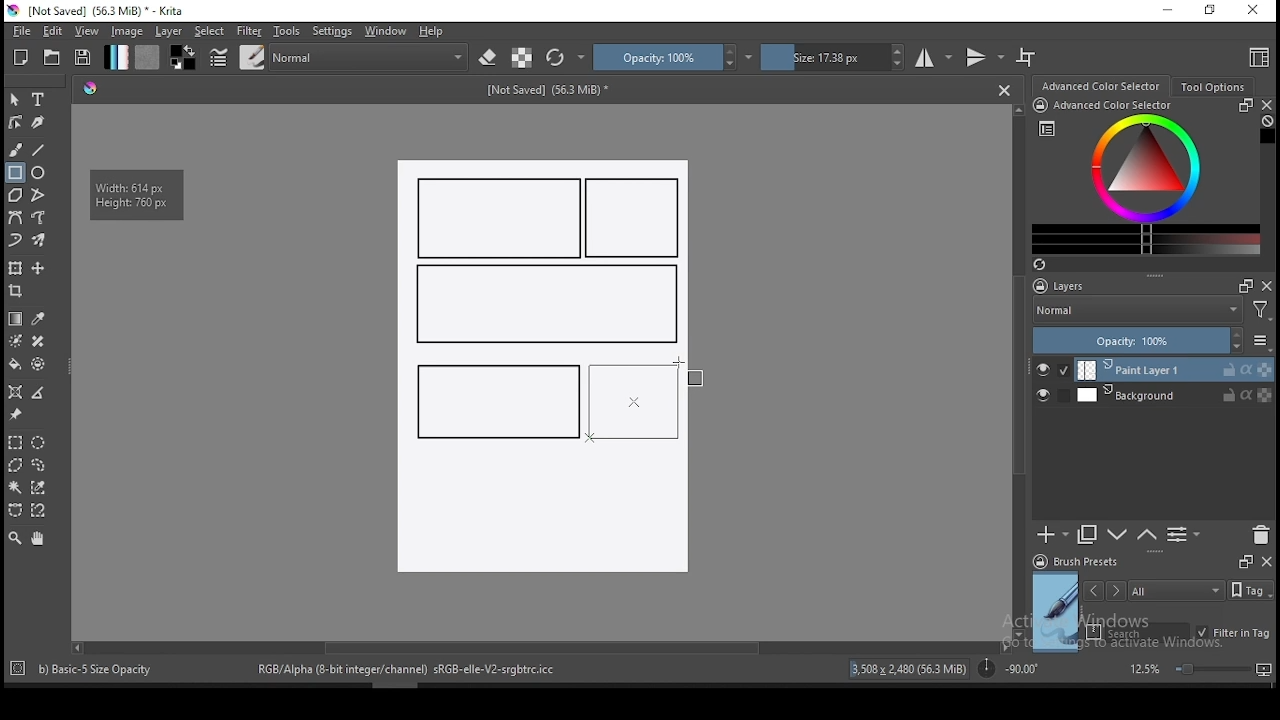  I want to click on smart patch tool, so click(38, 341).